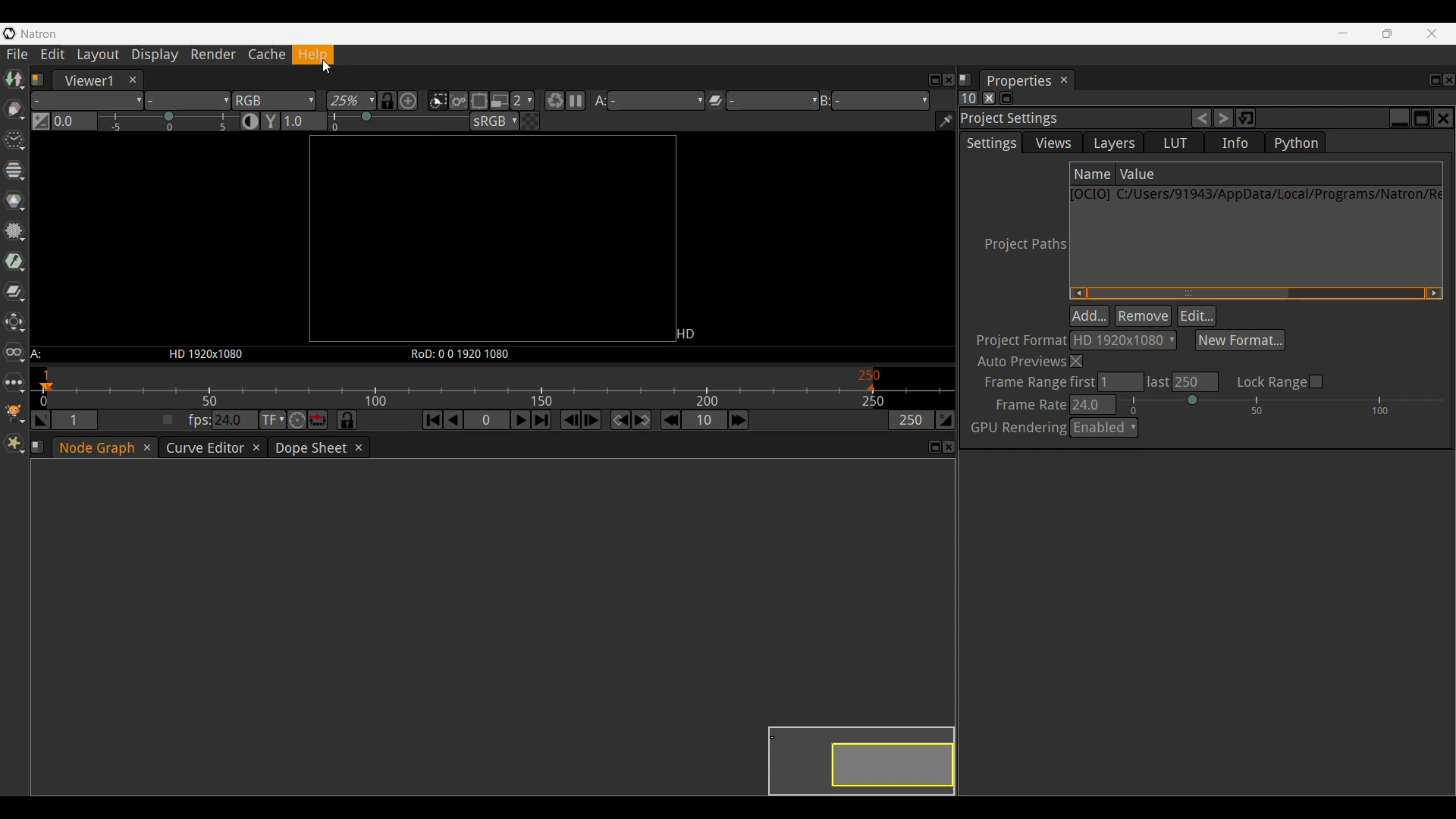 The width and height of the screenshot is (1456, 819). What do you see at coordinates (1422, 118) in the screenshot?
I see `Float Project settings panel` at bounding box center [1422, 118].